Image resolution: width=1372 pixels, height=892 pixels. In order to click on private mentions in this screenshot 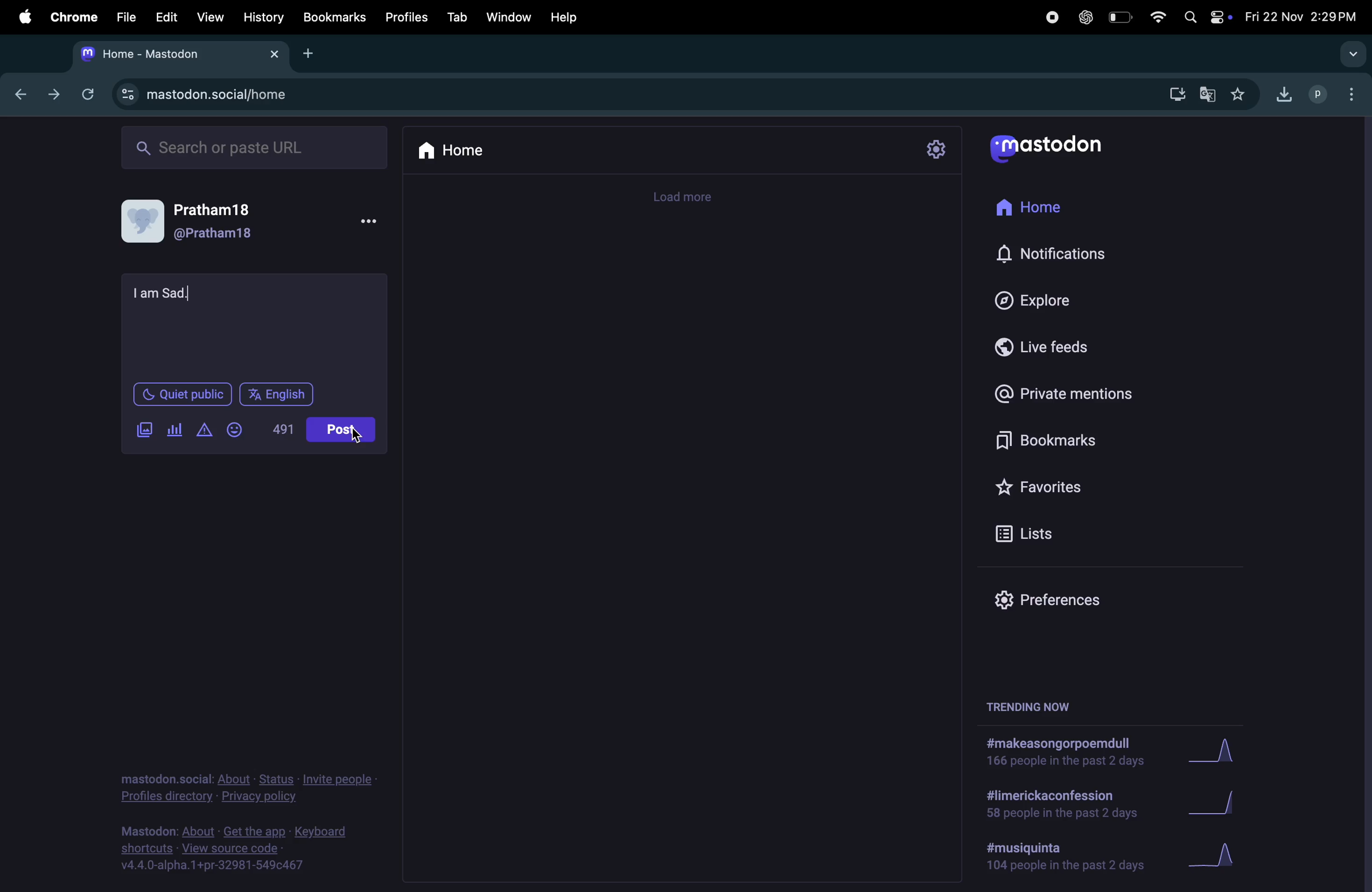, I will do `click(1083, 394)`.